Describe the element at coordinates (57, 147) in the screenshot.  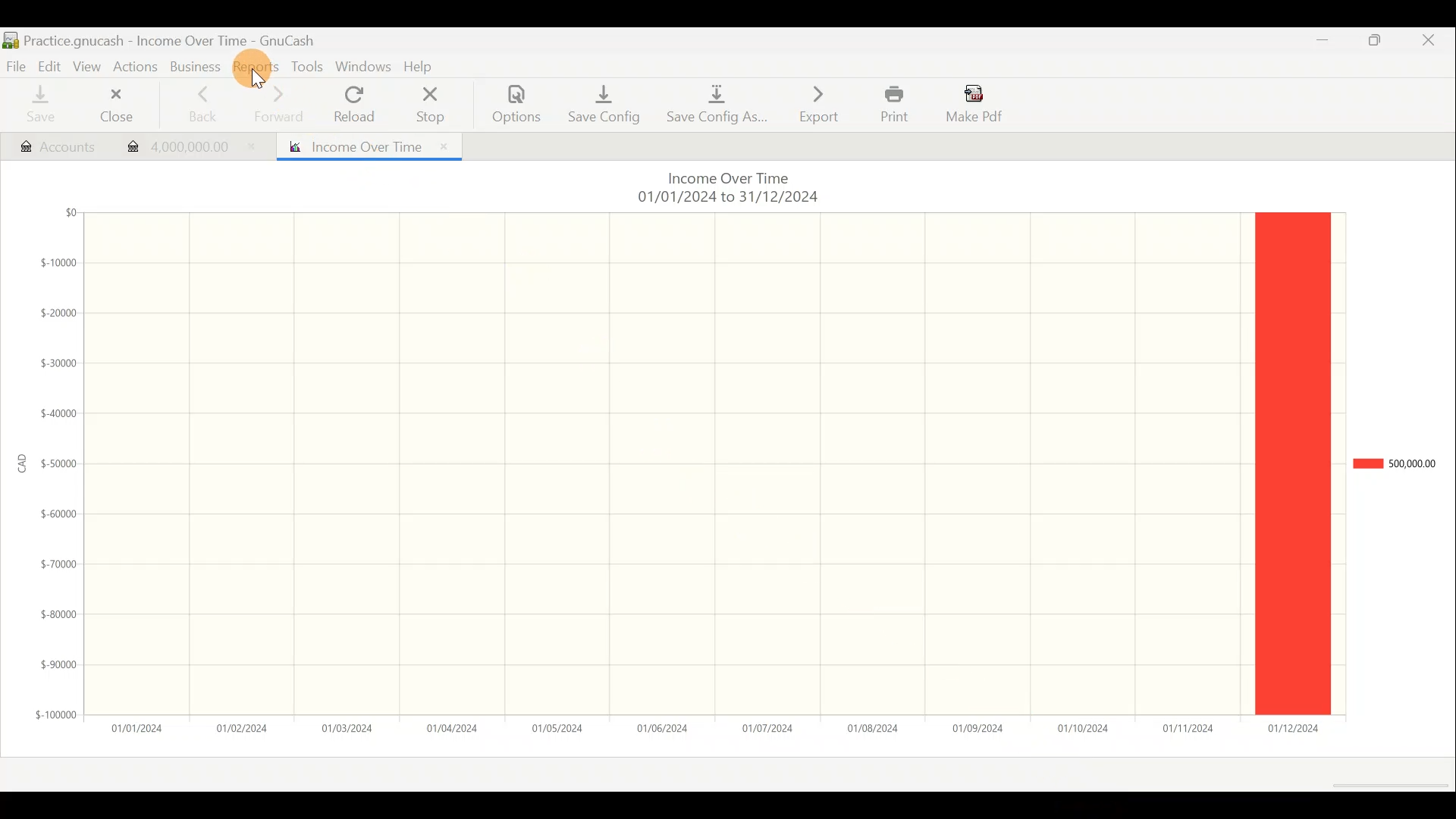
I see `Account` at that location.